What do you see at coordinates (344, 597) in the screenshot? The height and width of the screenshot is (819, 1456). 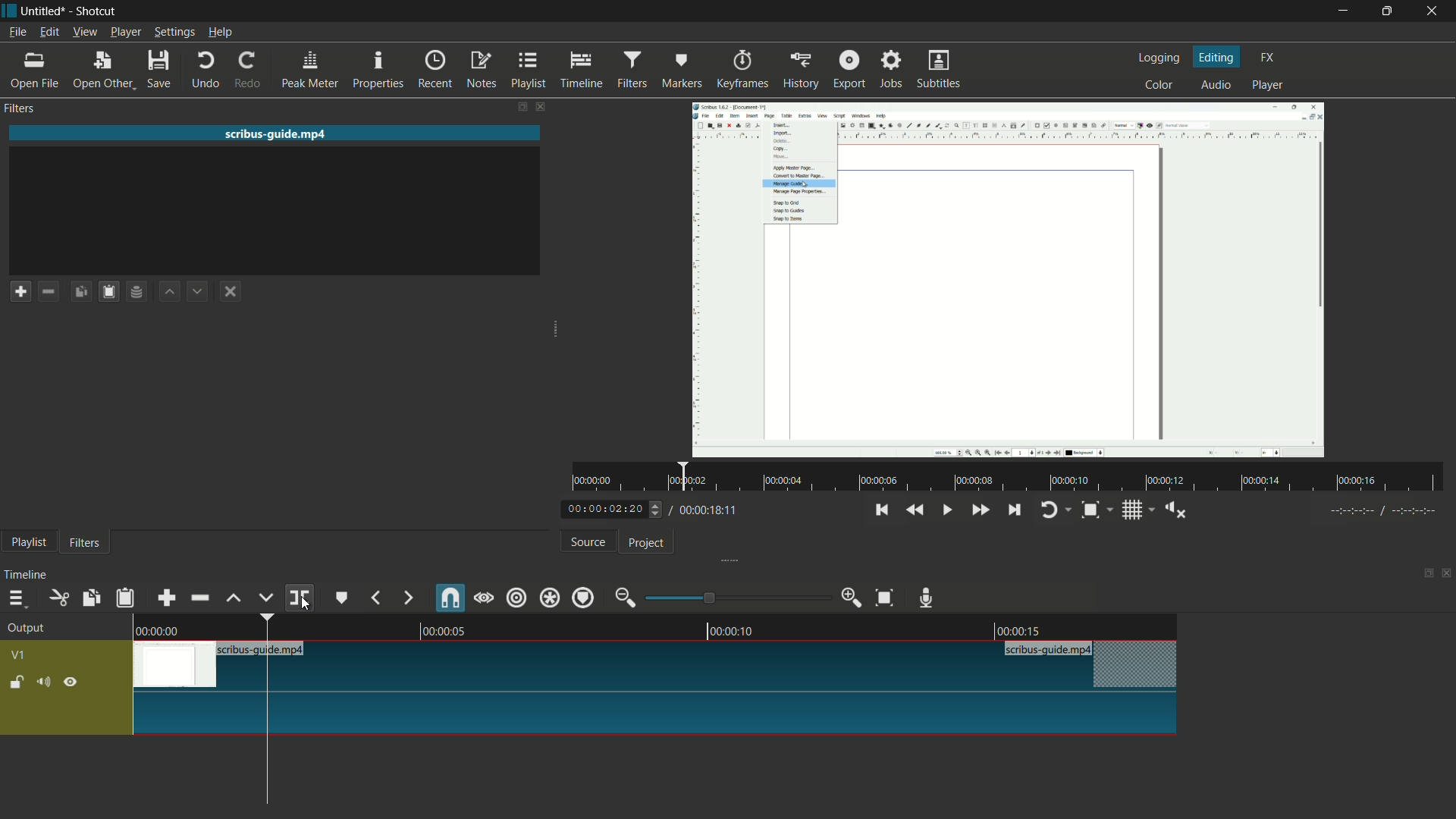 I see `create or edit marker` at bounding box center [344, 597].